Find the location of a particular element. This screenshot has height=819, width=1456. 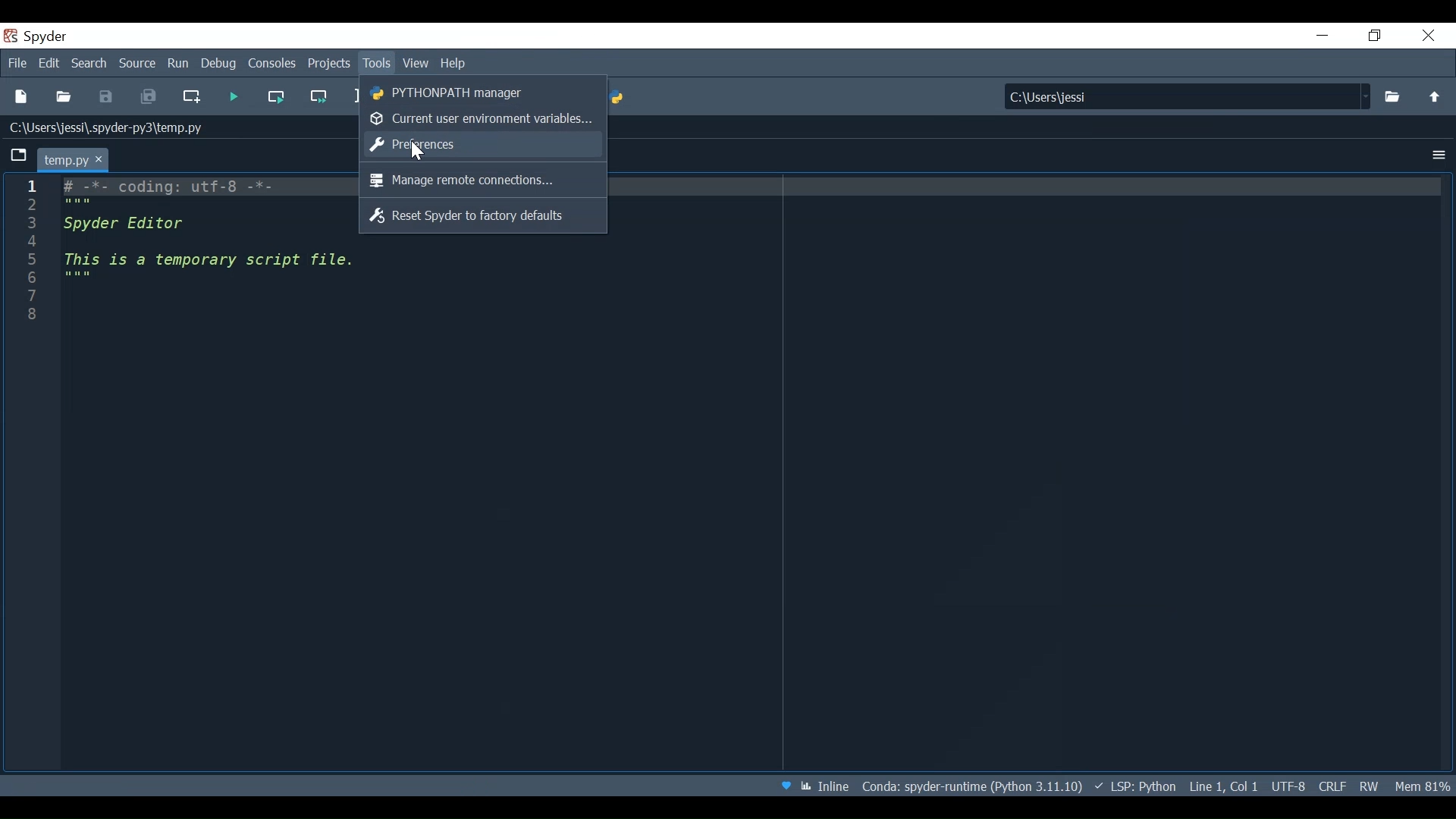

Browse Tabs is located at coordinates (20, 156).